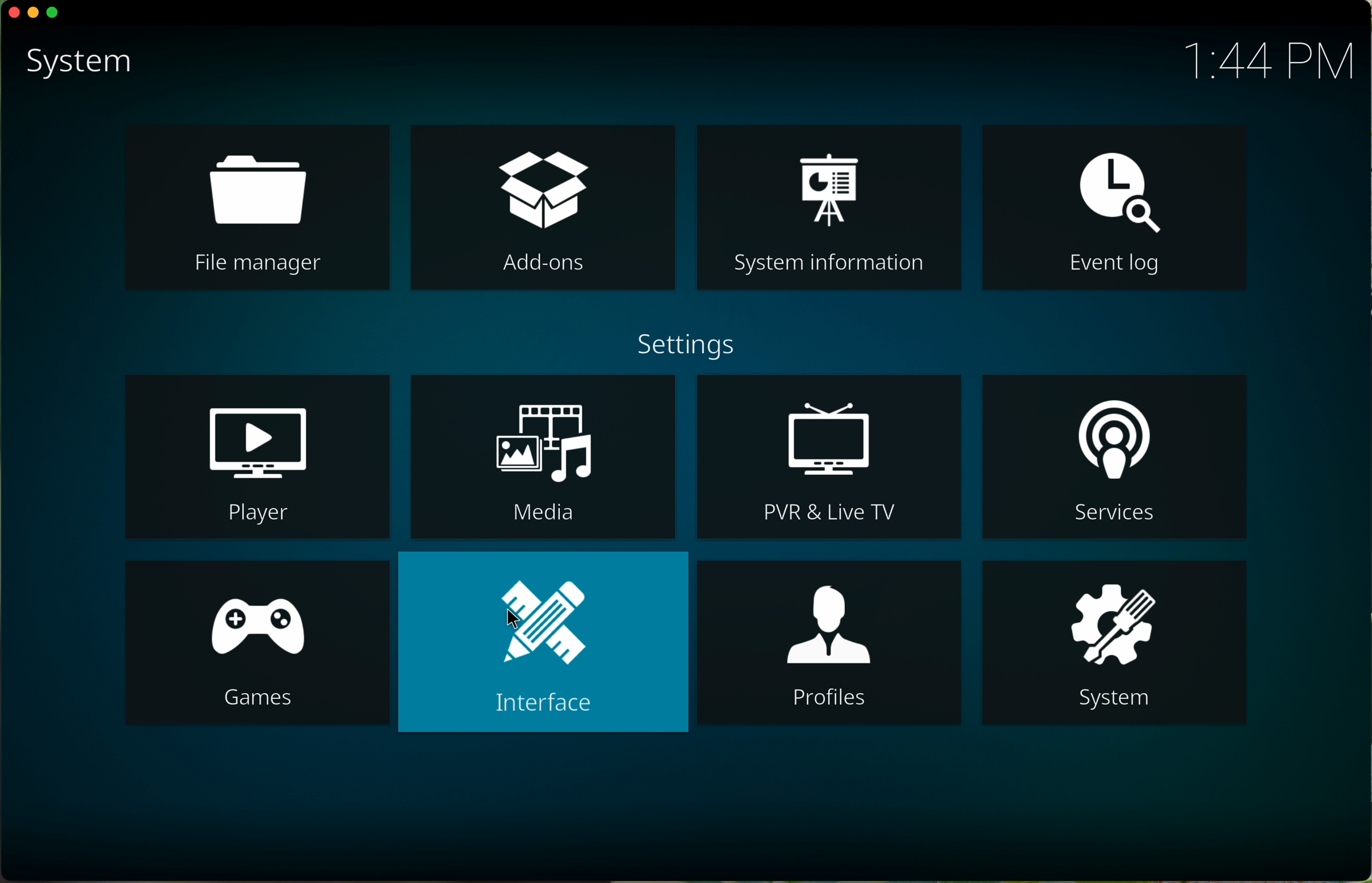  What do you see at coordinates (258, 456) in the screenshot?
I see `player` at bounding box center [258, 456].